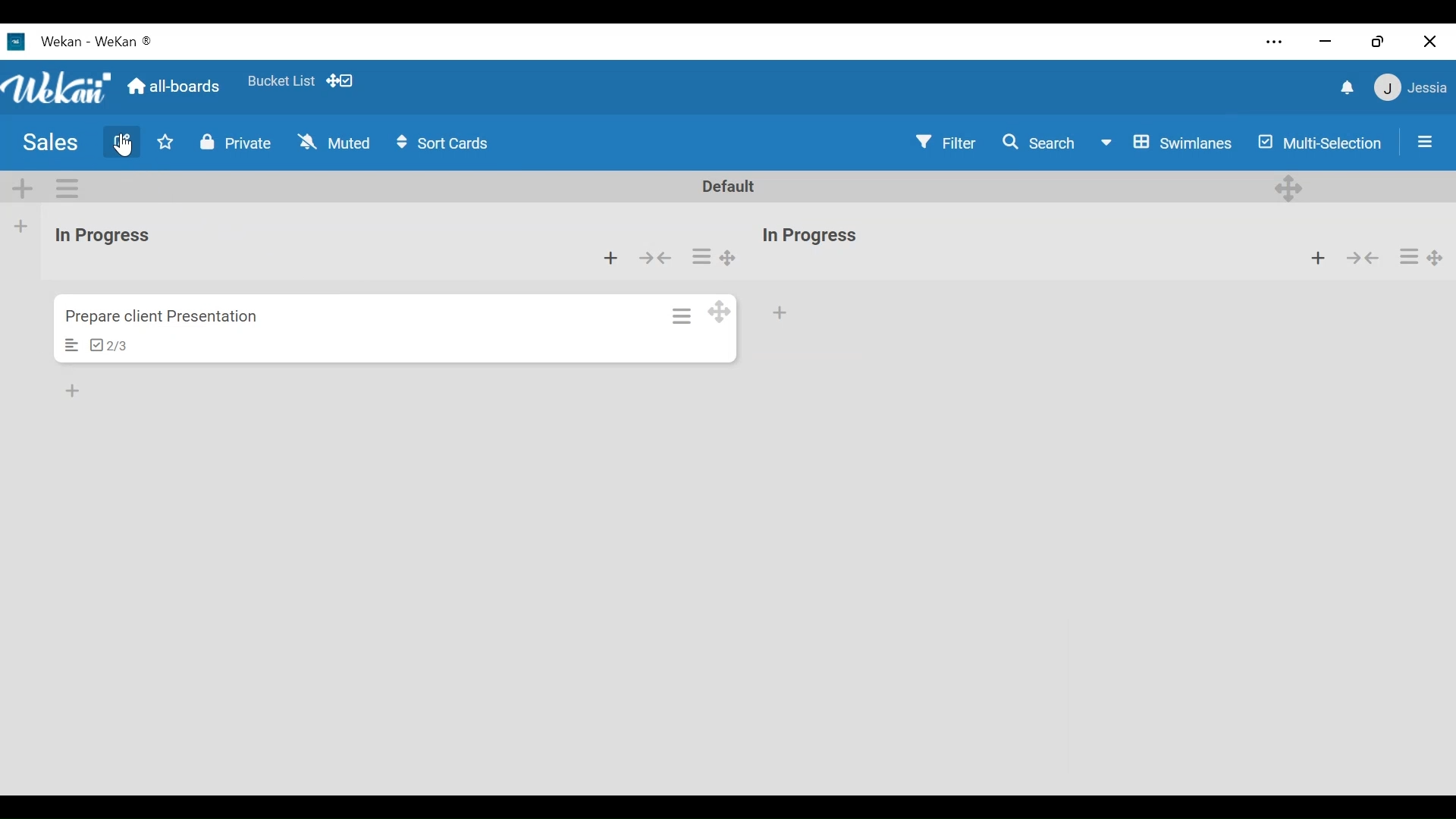 Image resolution: width=1456 pixels, height=819 pixels. Describe the element at coordinates (1423, 142) in the screenshot. I see `Sidebar` at that location.